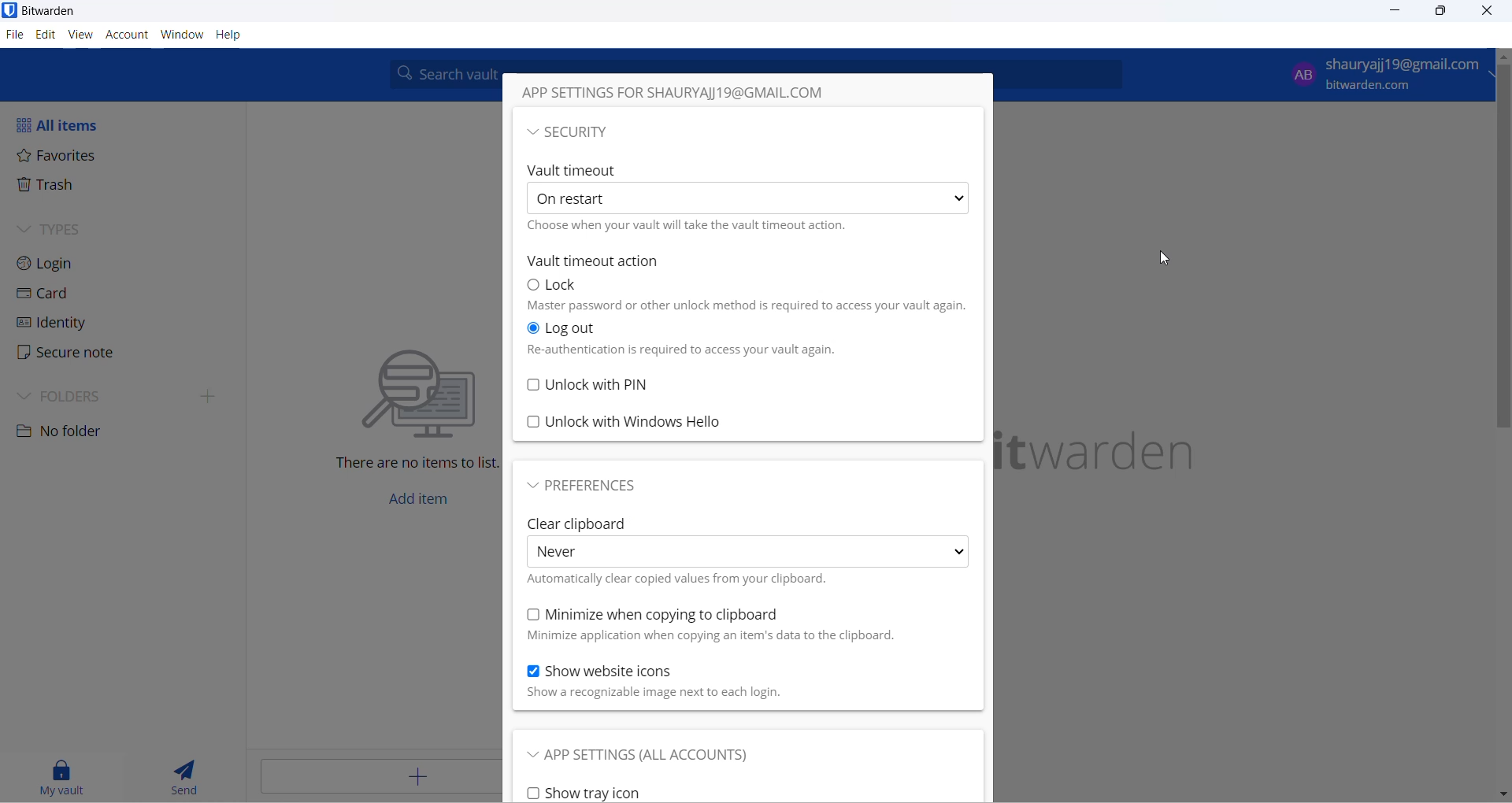 The image size is (1512, 803). What do you see at coordinates (578, 200) in the screenshot?
I see `On restart` at bounding box center [578, 200].